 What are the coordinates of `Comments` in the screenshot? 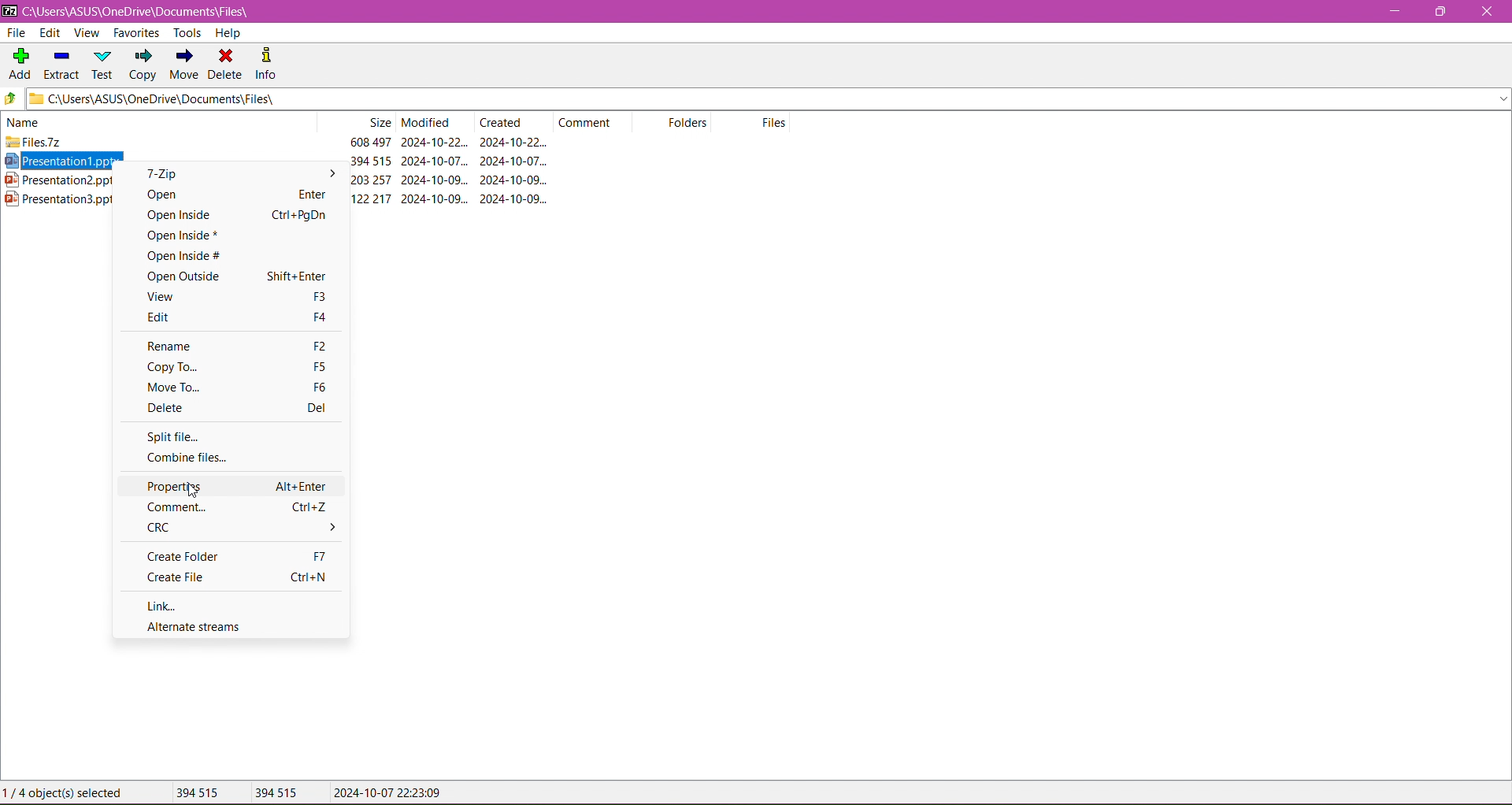 It's located at (236, 508).